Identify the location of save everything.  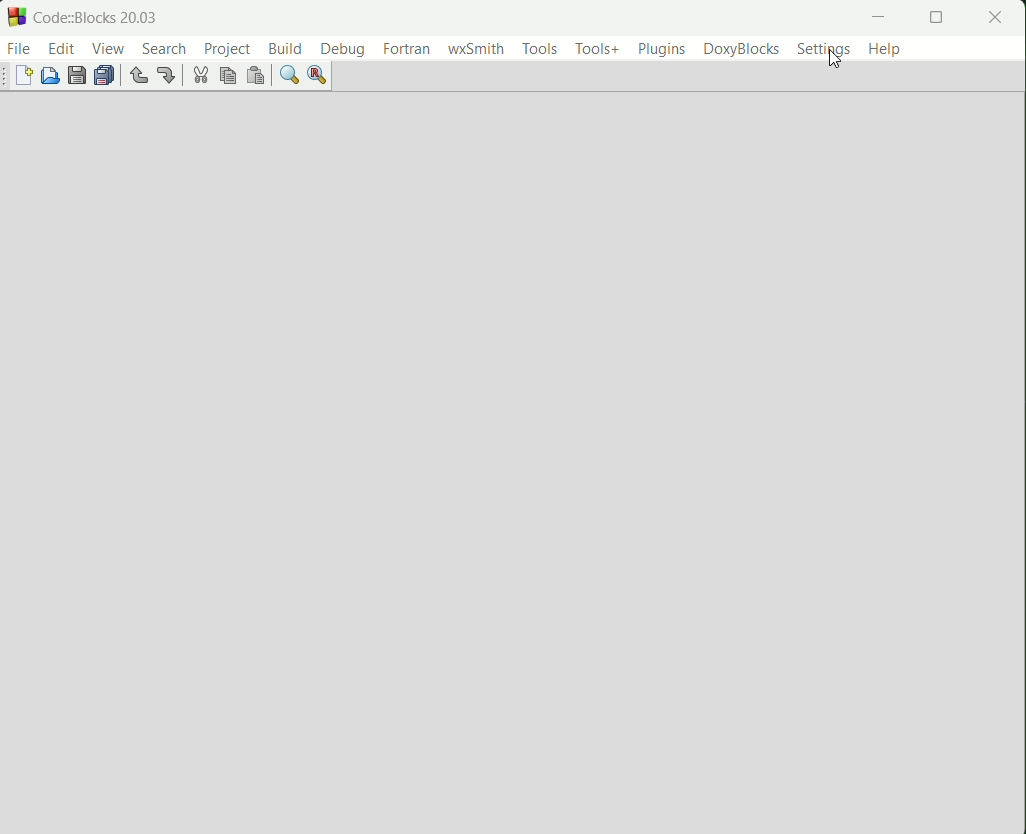
(105, 75).